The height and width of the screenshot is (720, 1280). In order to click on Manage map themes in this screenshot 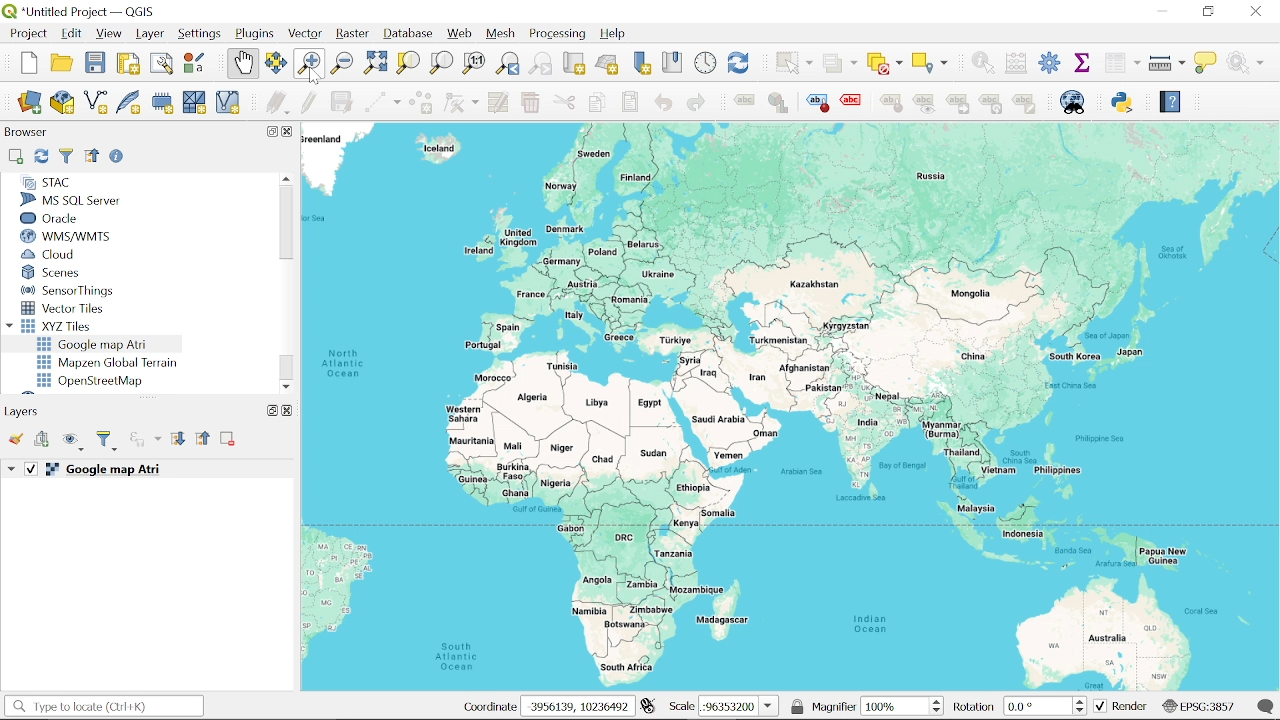, I will do `click(74, 444)`.